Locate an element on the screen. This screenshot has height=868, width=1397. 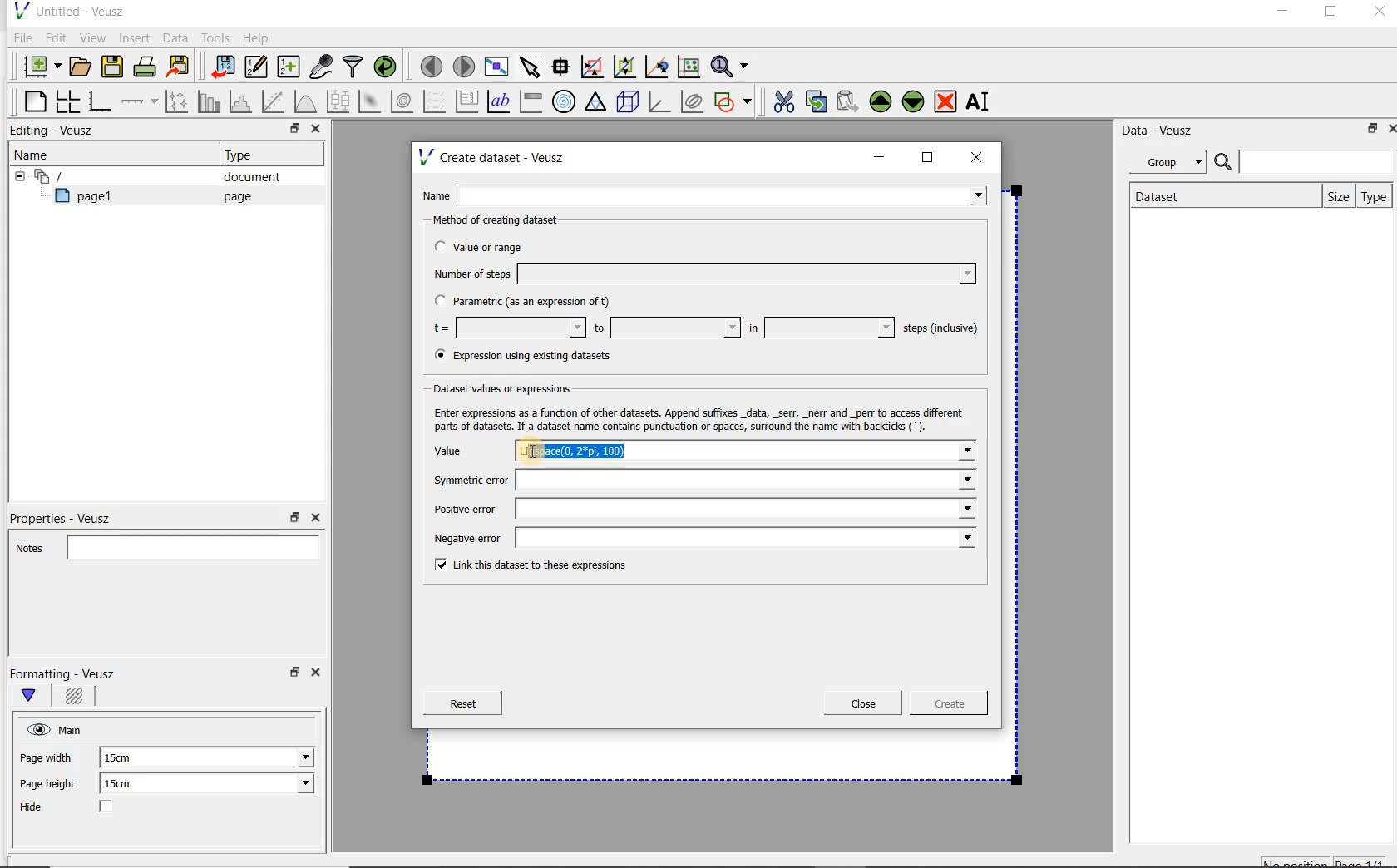
rename the selected widget is located at coordinates (981, 101).